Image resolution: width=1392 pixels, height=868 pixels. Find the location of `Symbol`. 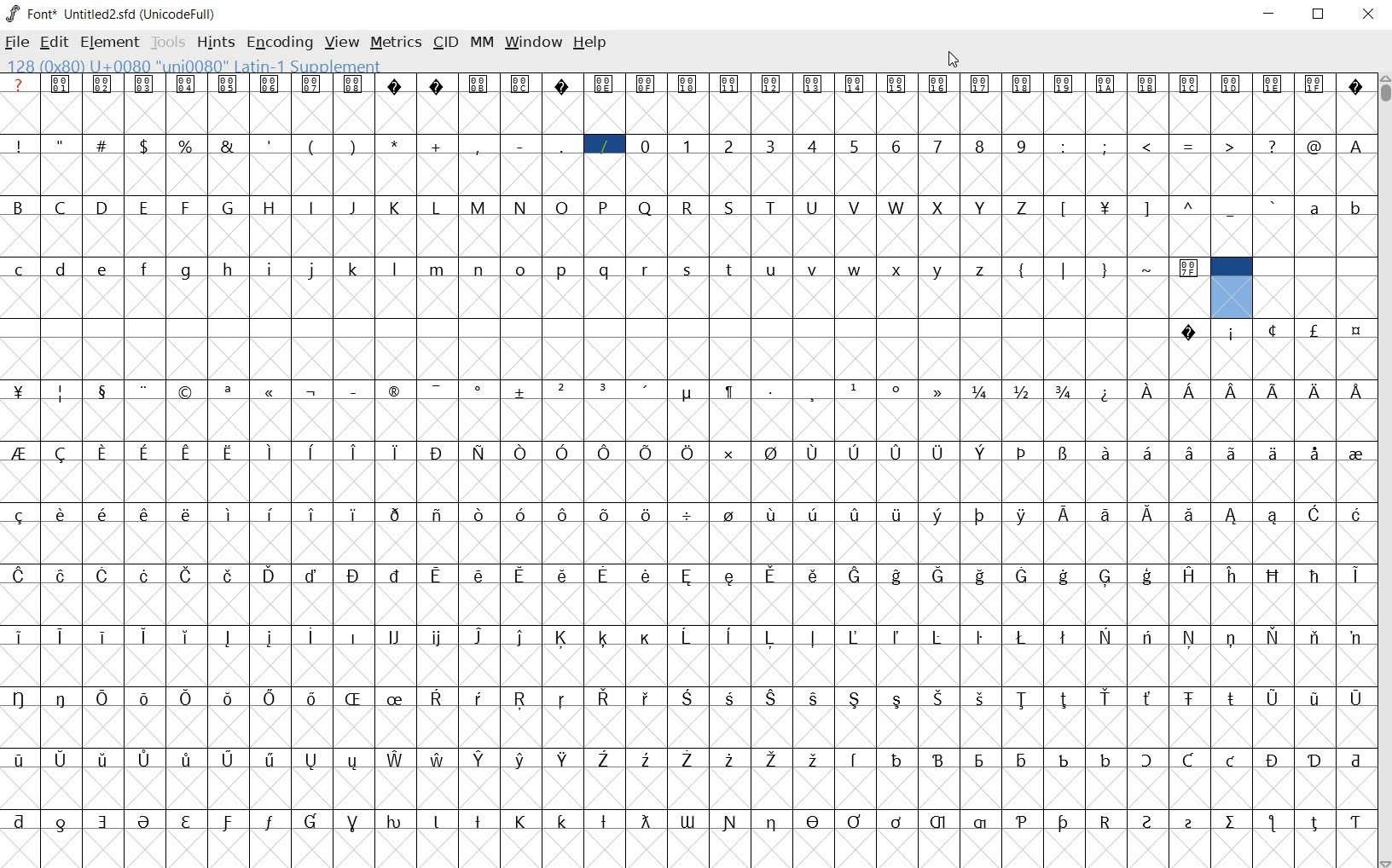

Symbol is located at coordinates (1187, 574).